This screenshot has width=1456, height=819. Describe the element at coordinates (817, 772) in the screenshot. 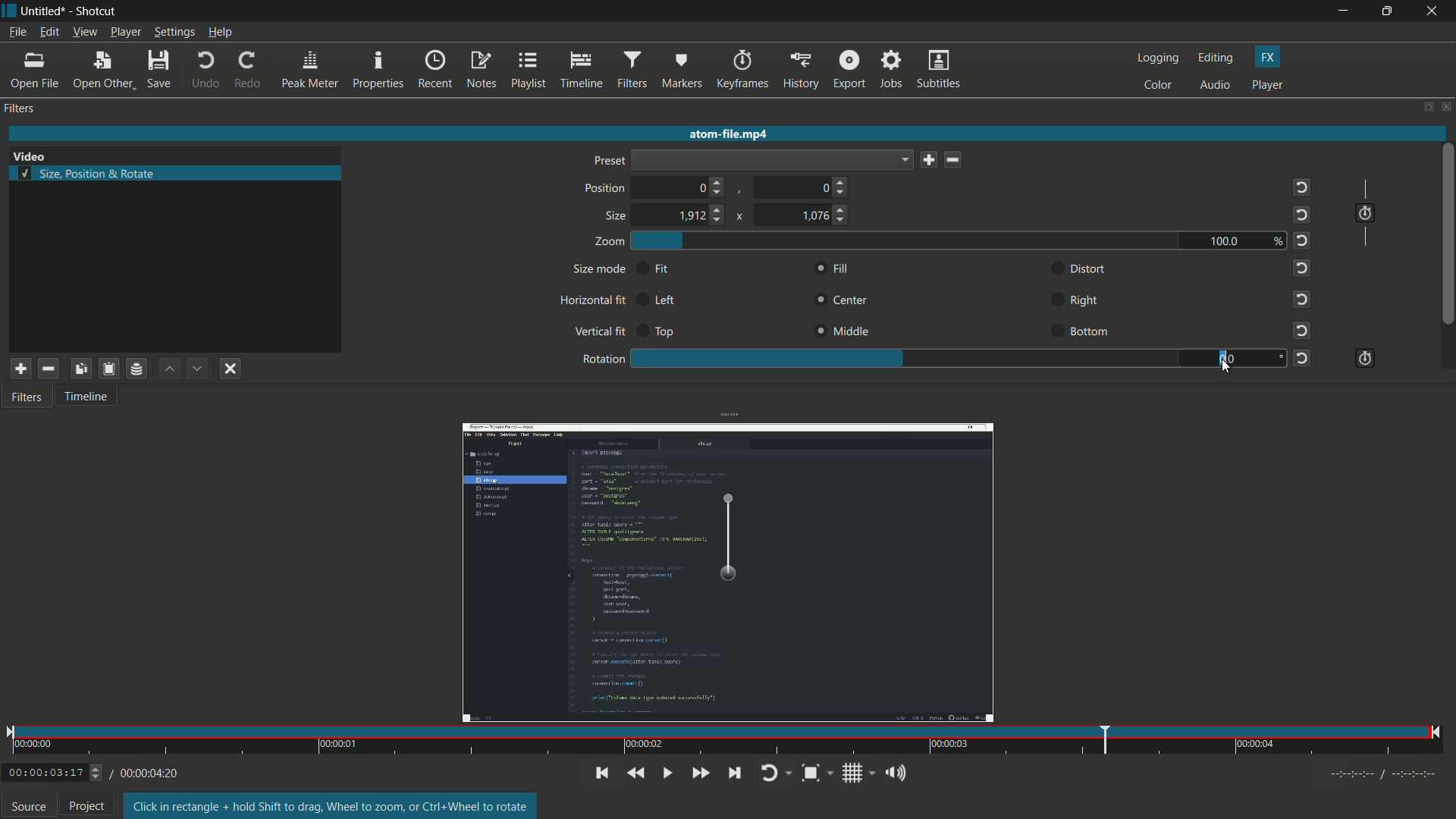

I see `toggle zoom` at that location.